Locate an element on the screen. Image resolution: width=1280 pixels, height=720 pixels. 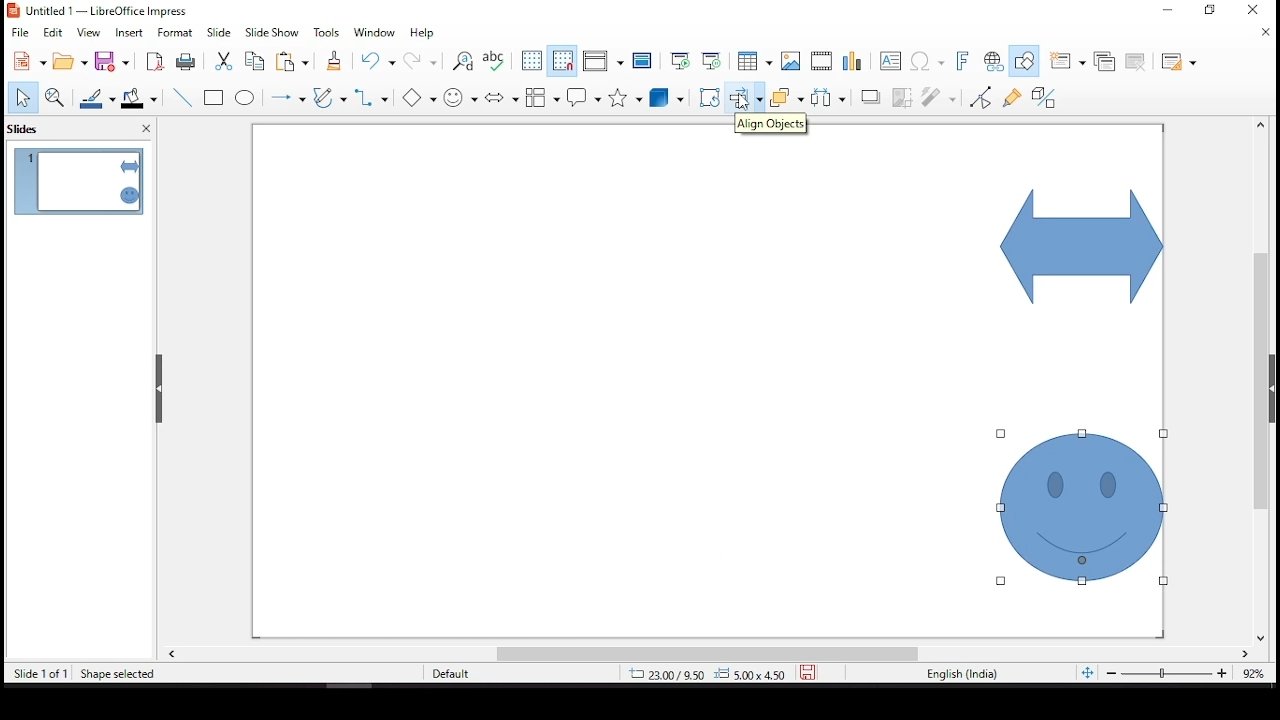
minimize is located at coordinates (1212, 11).